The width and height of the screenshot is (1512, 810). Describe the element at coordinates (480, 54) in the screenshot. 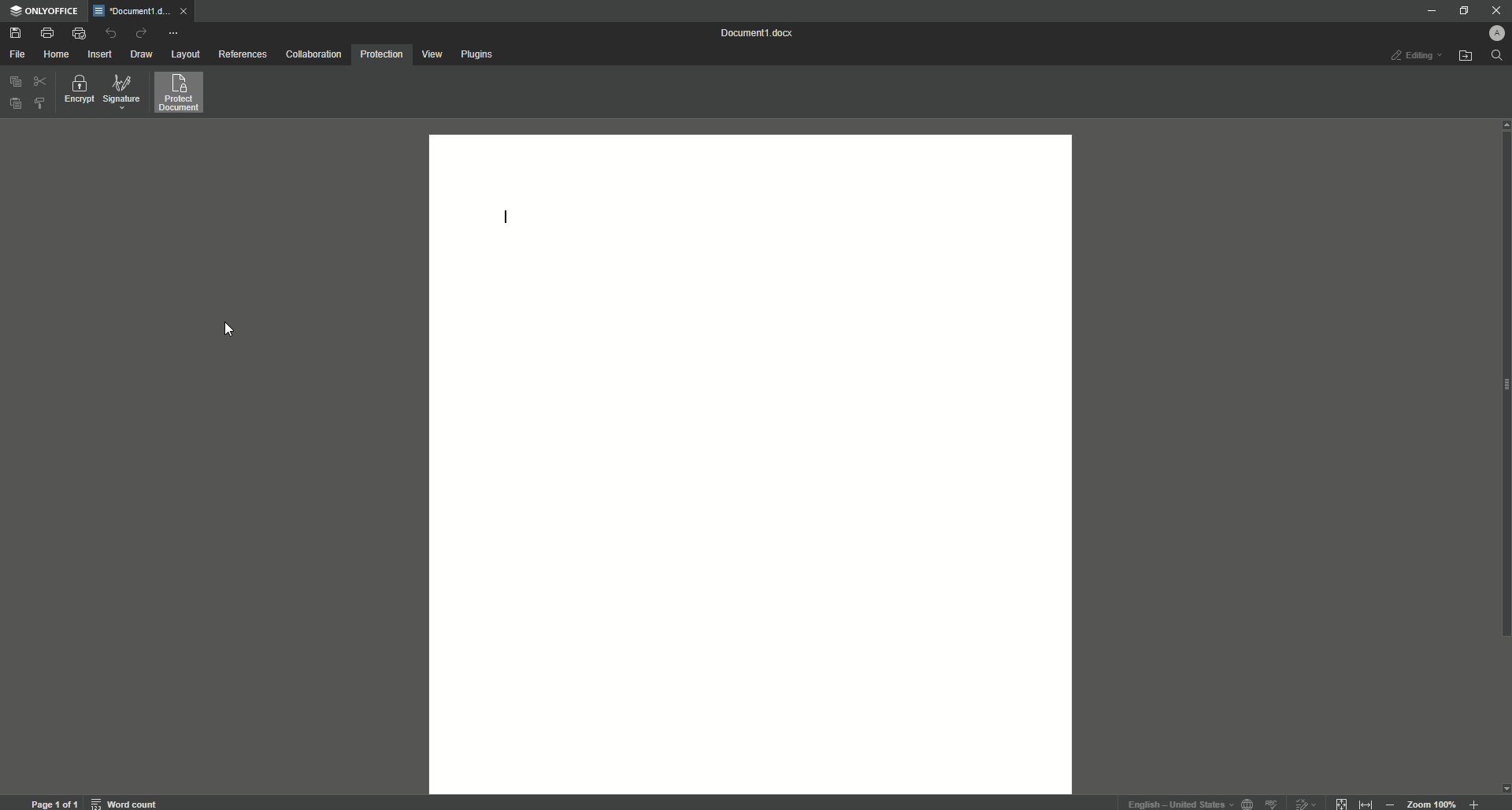

I see `Plugins` at that location.